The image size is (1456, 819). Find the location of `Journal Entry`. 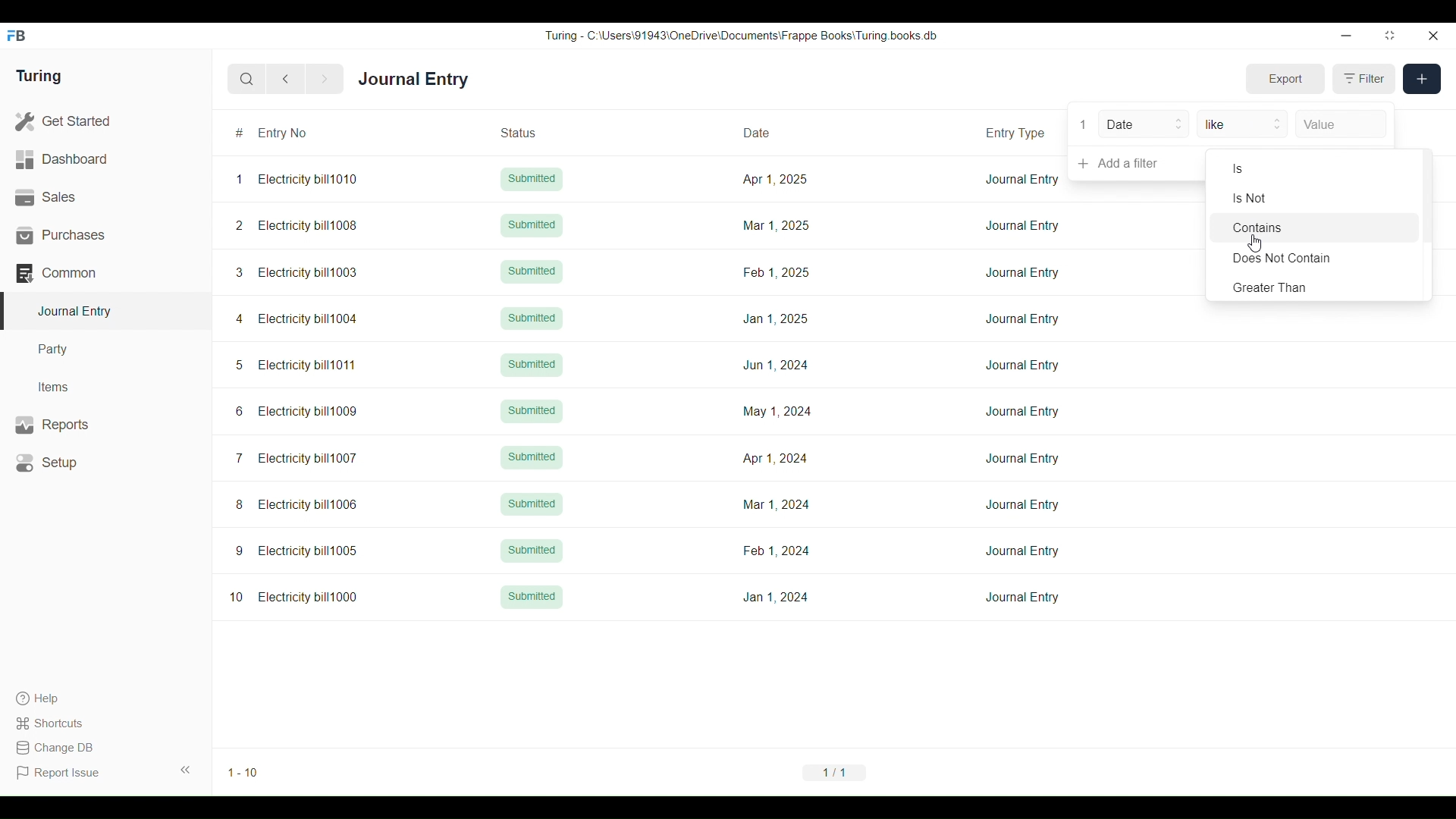

Journal Entry is located at coordinates (1021, 598).